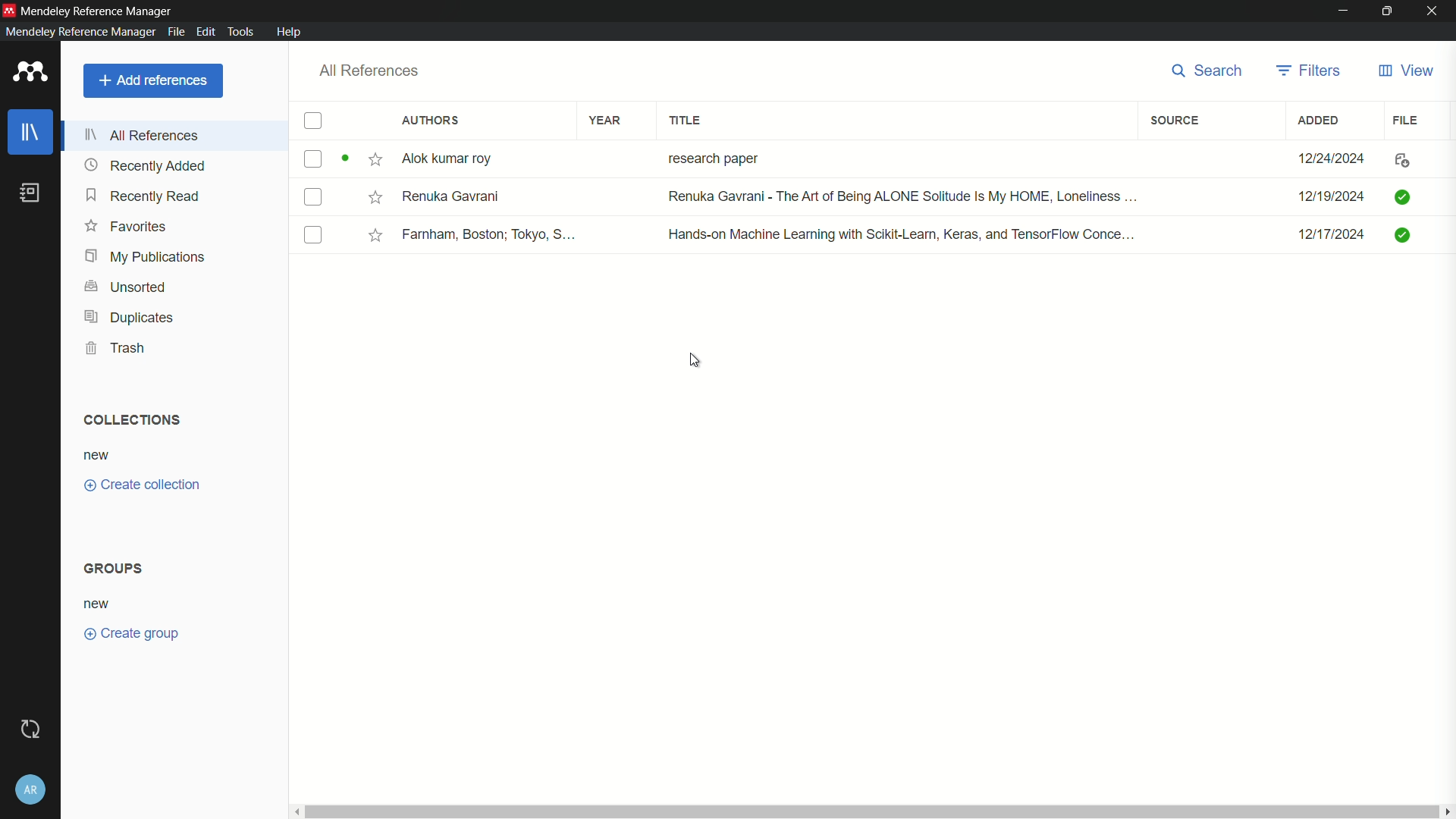 The height and width of the screenshot is (819, 1456). I want to click on add reference, so click(154, 80).